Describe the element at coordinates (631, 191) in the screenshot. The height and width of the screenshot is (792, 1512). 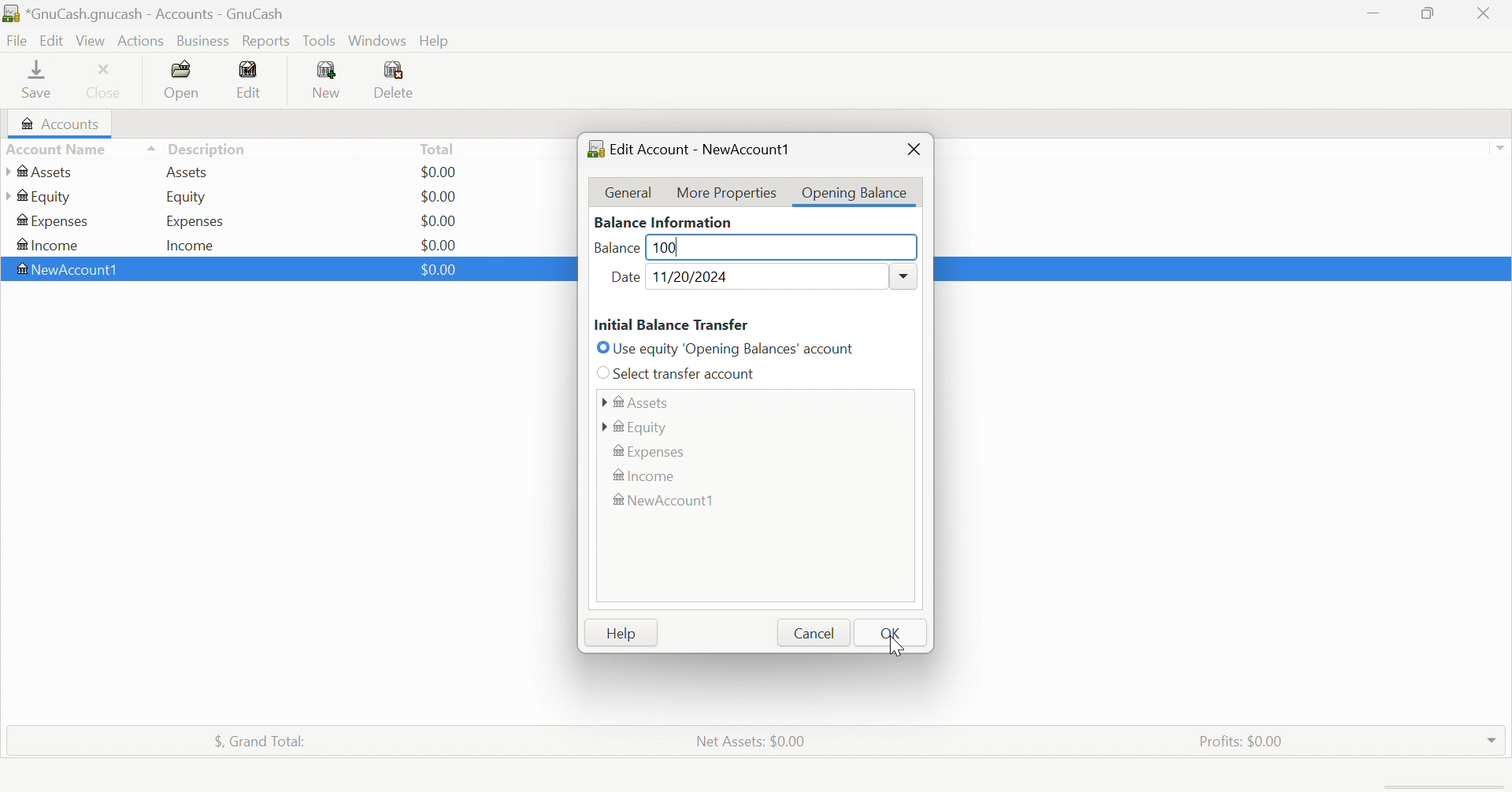
I see `General` at that location.